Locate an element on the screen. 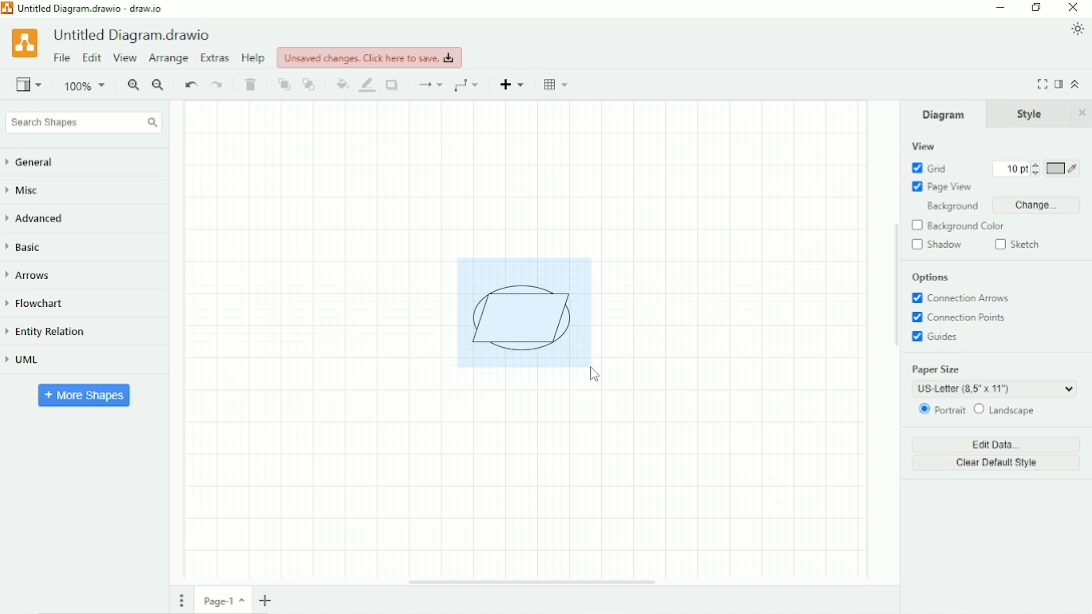 The height and width of the screenshot is (614, 1092). File is located at coordinates (62, 58).